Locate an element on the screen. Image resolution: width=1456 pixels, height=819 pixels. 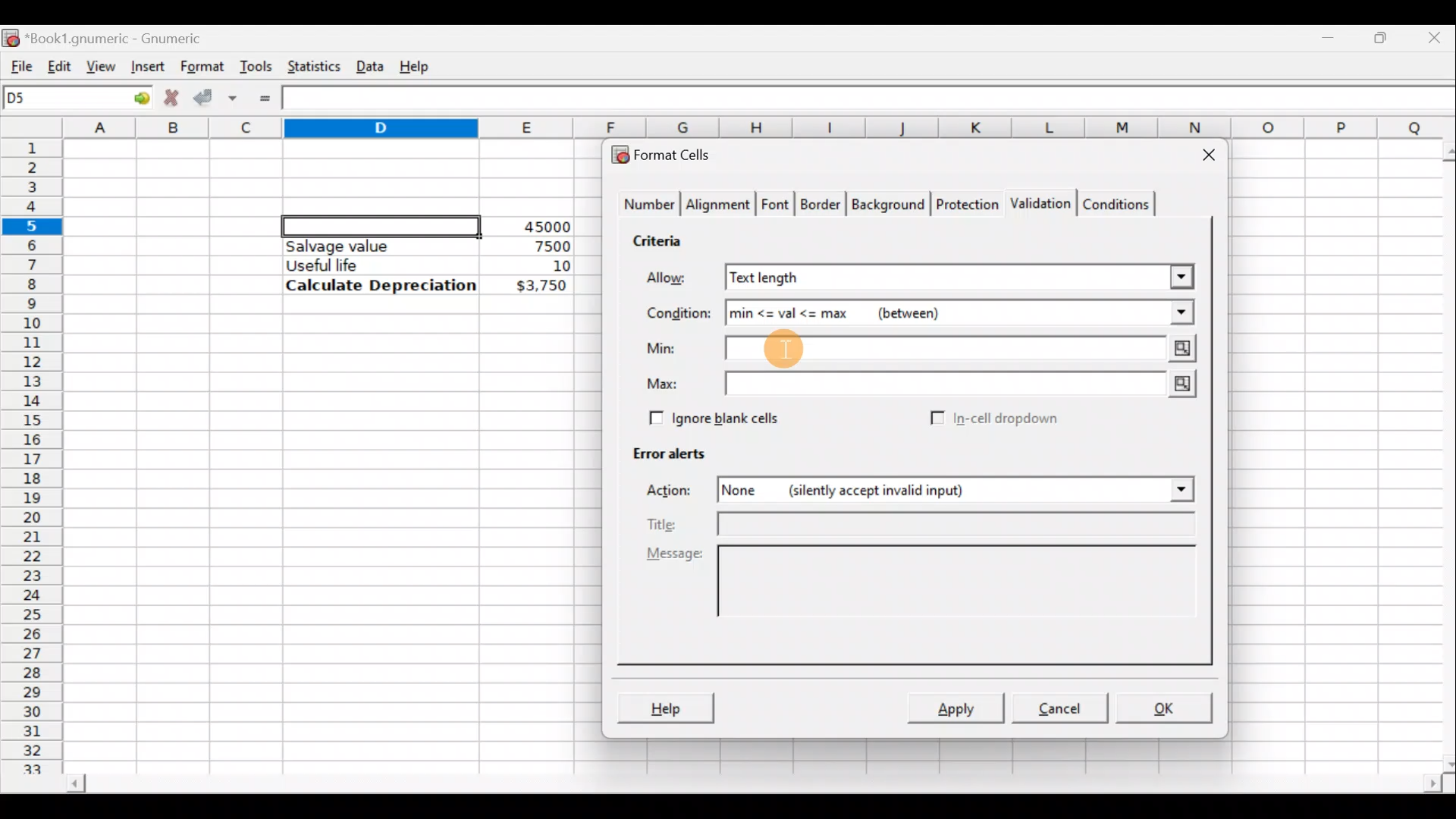
Statistics is located at coordinates (310, 65).